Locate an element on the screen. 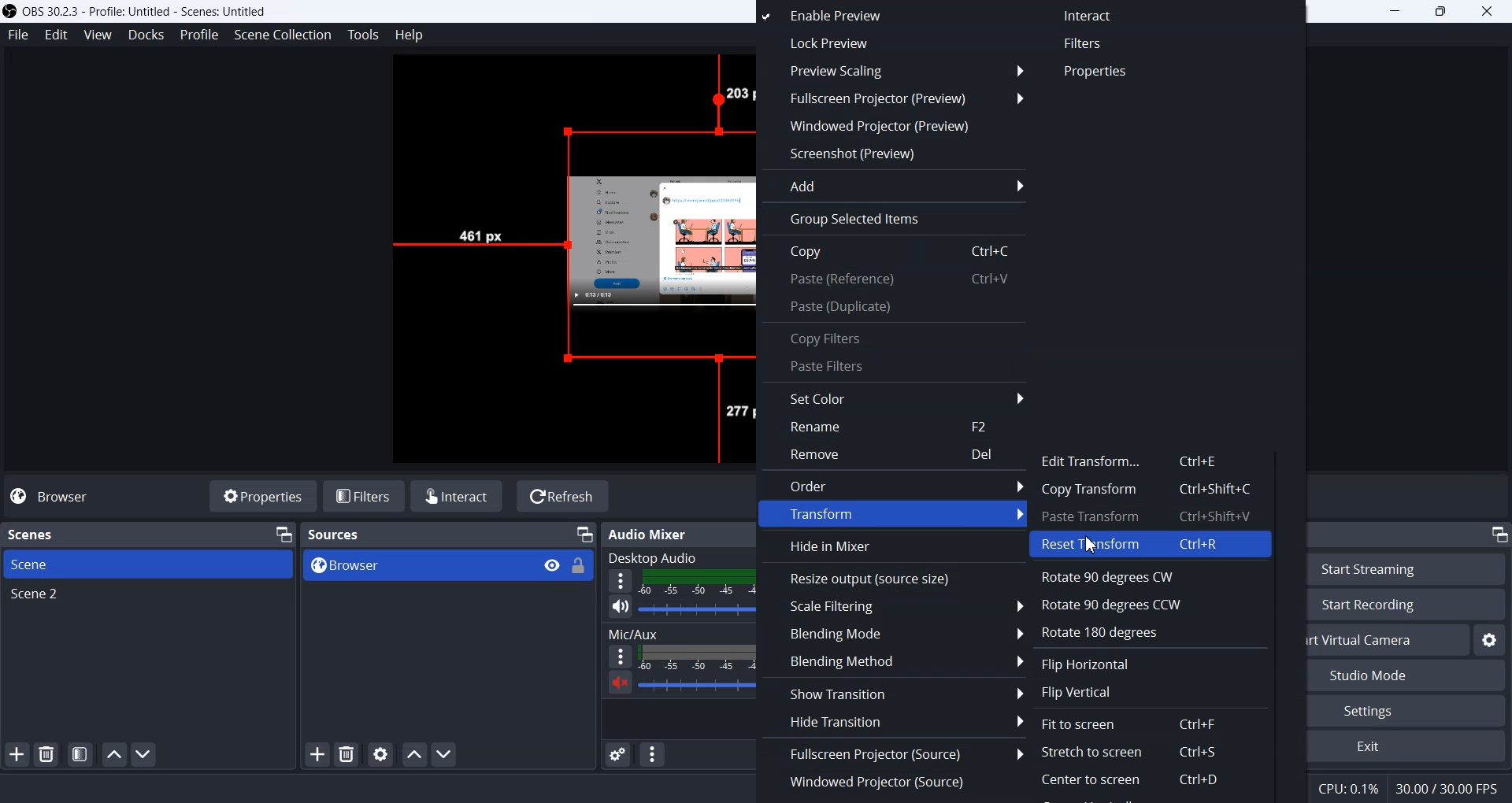 Image resolution: width=1512 pixels, height=803 pixels. Filters is located at coordinates (365, 497).